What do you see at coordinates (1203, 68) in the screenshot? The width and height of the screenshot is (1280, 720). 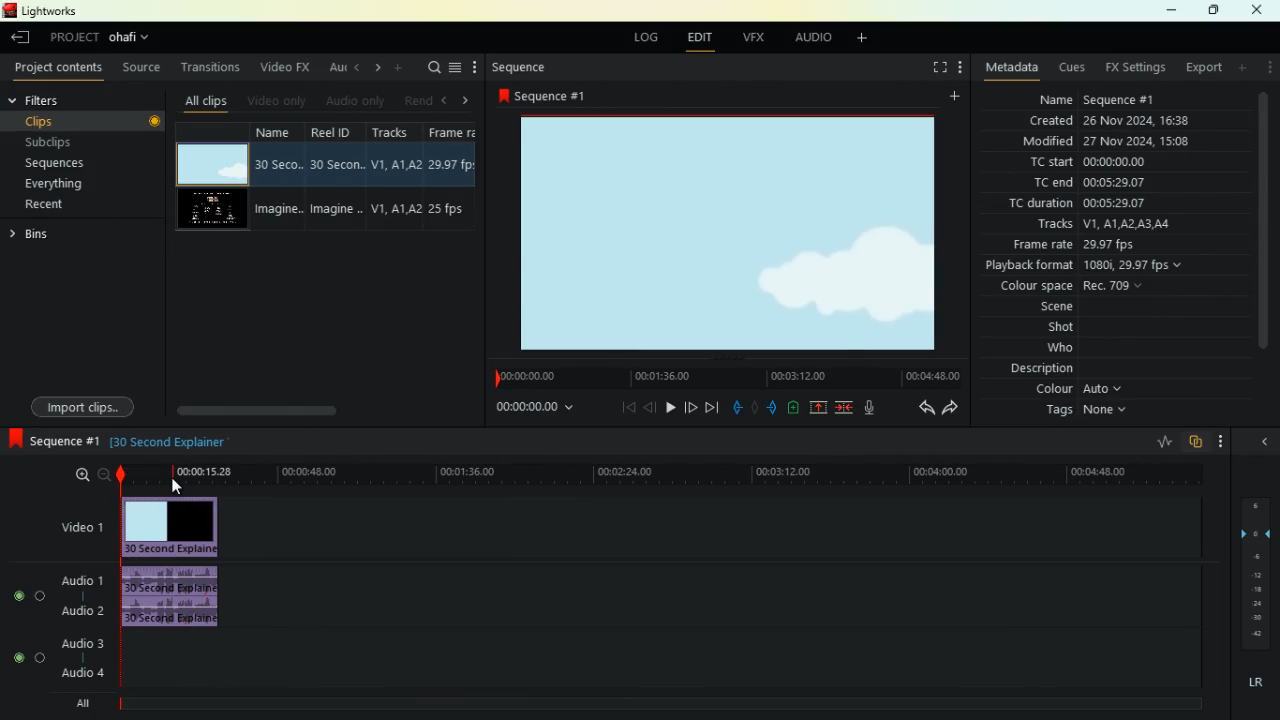 I see `export` at bounding box center [1203, 68].